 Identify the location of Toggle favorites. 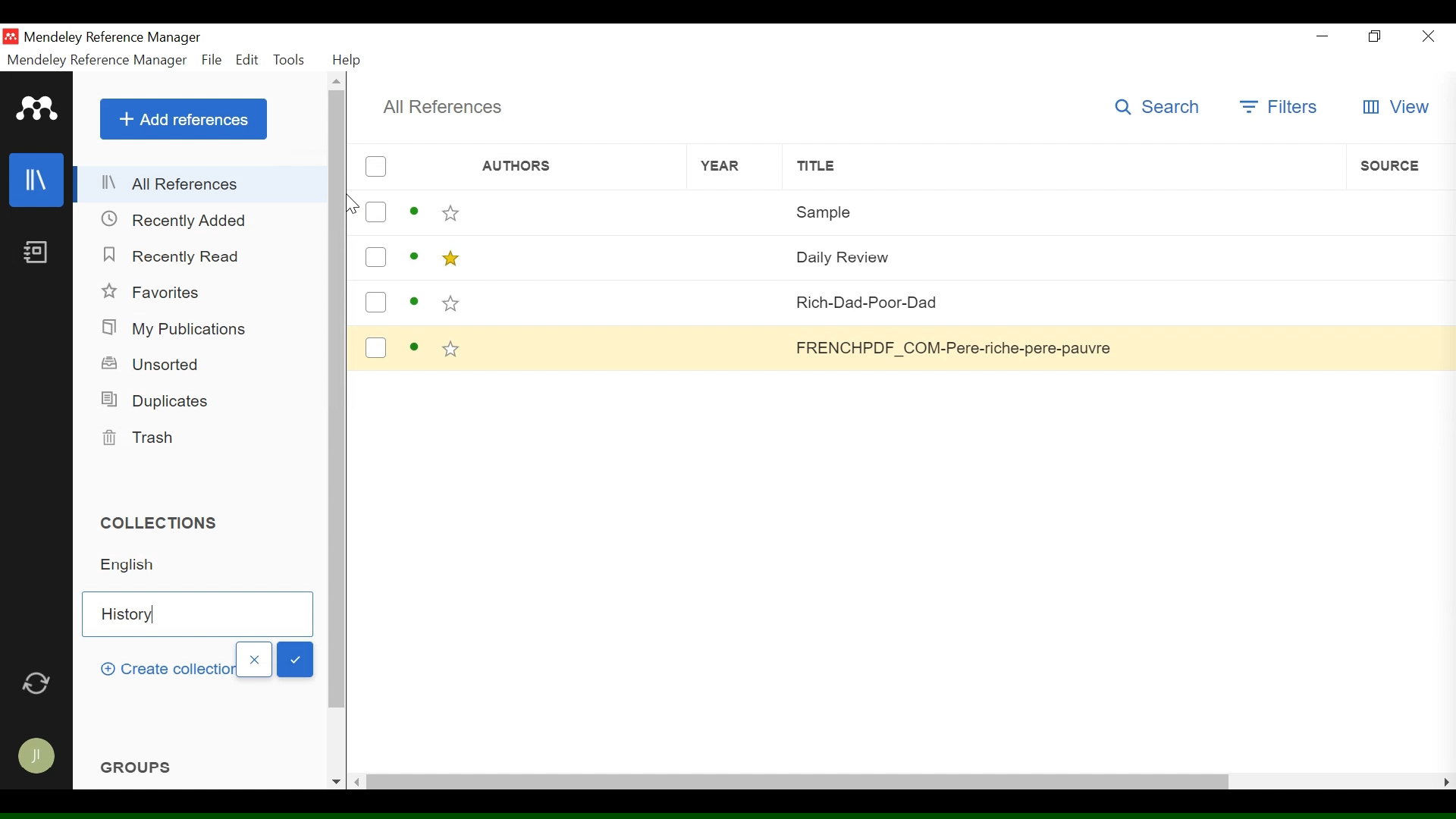
(451, 306).